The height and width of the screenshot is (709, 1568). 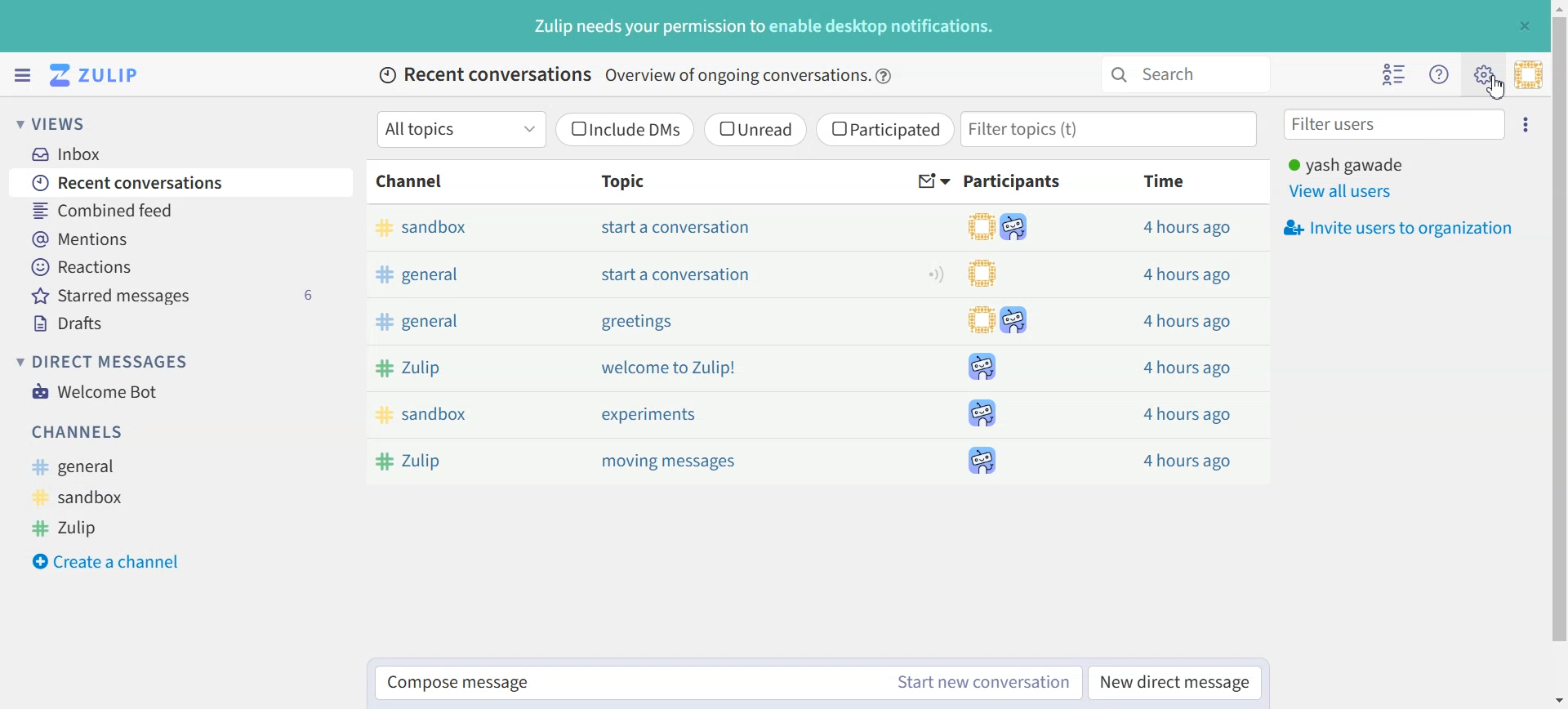 What do you see at coordinates (1437, 74) in the screenshot?
I see `Help Menu` at bounding box center [1437, 74].